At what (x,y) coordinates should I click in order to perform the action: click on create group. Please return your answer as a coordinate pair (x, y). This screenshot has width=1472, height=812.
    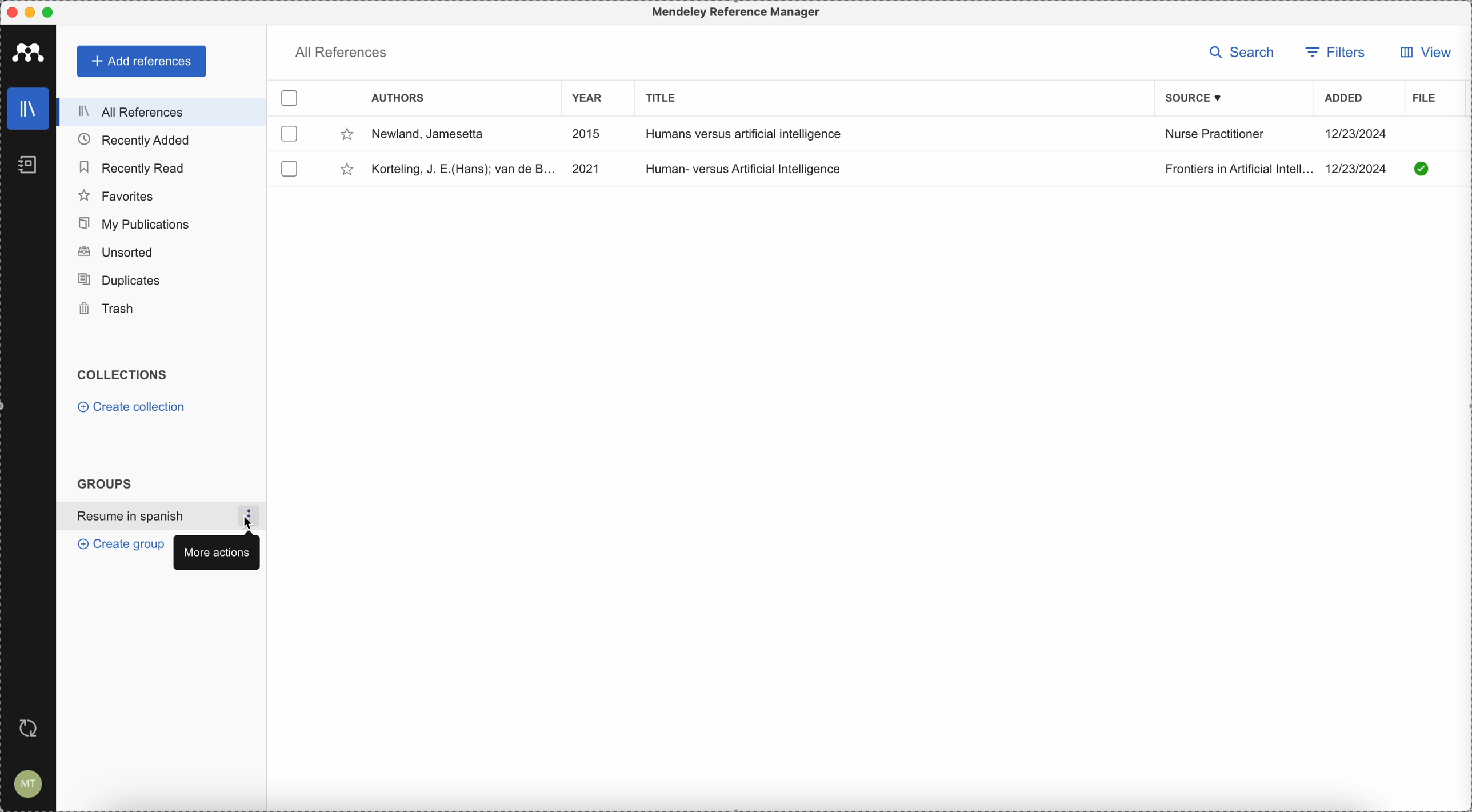
    Looking at the image, I should click on (117, 545).